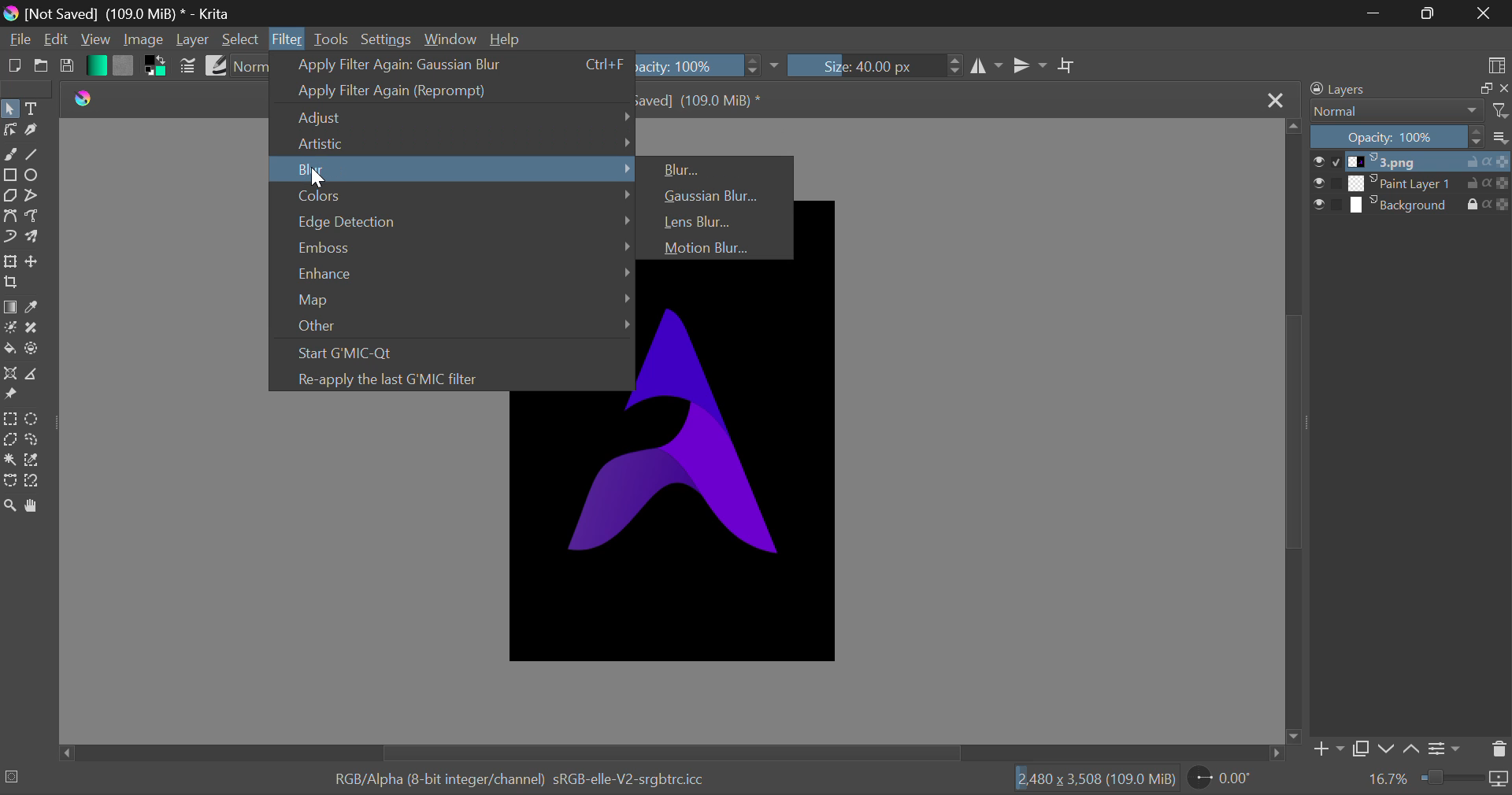 Image resolution: width=1512 pixels, height=795 pixels. What do you see at coordinates (94, 39) in the screenshot?
I see `View` at bounding box center [94, 39].